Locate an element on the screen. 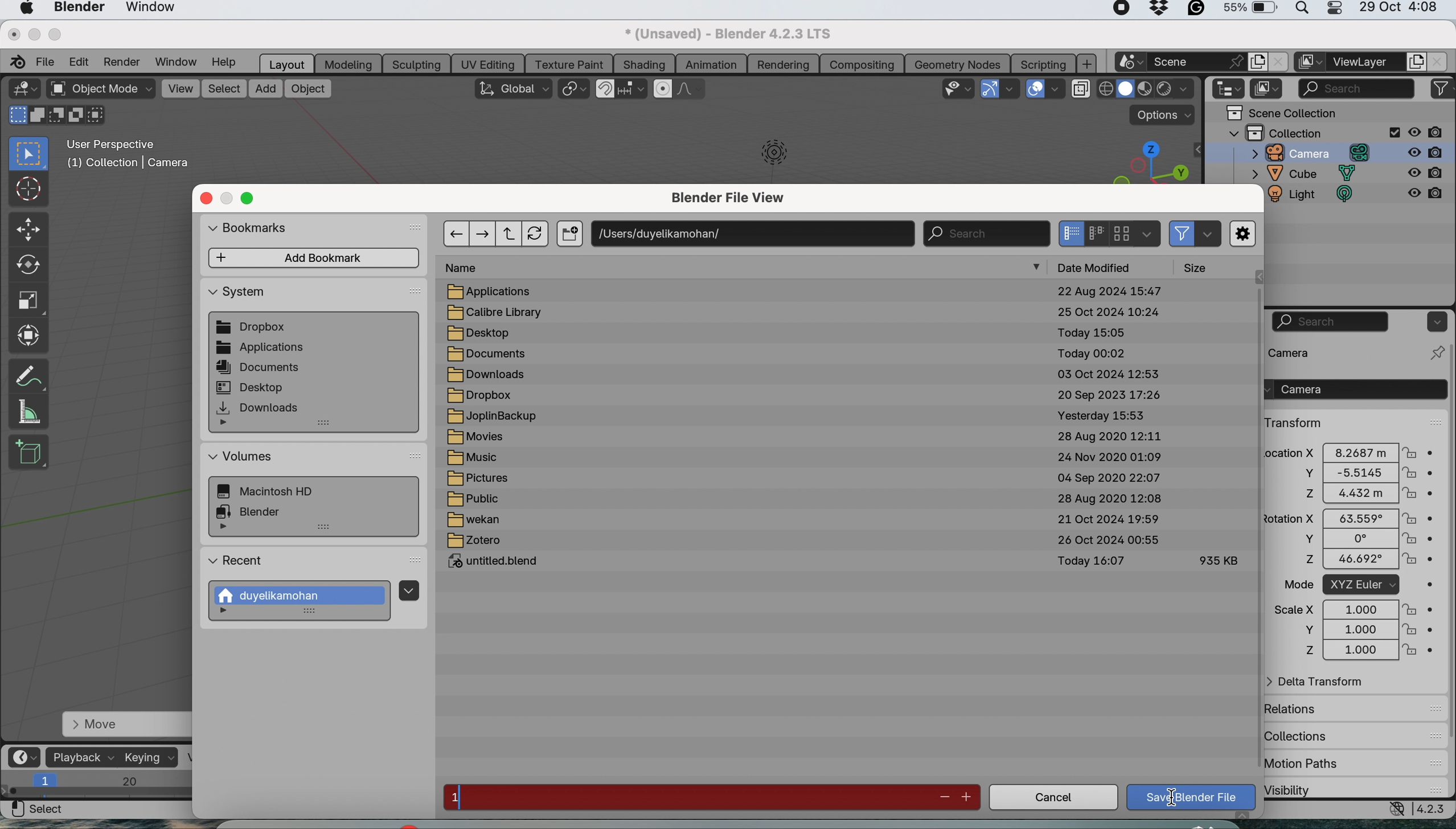 The image size is (1456, 829). object is located at coordinates (308, 89).